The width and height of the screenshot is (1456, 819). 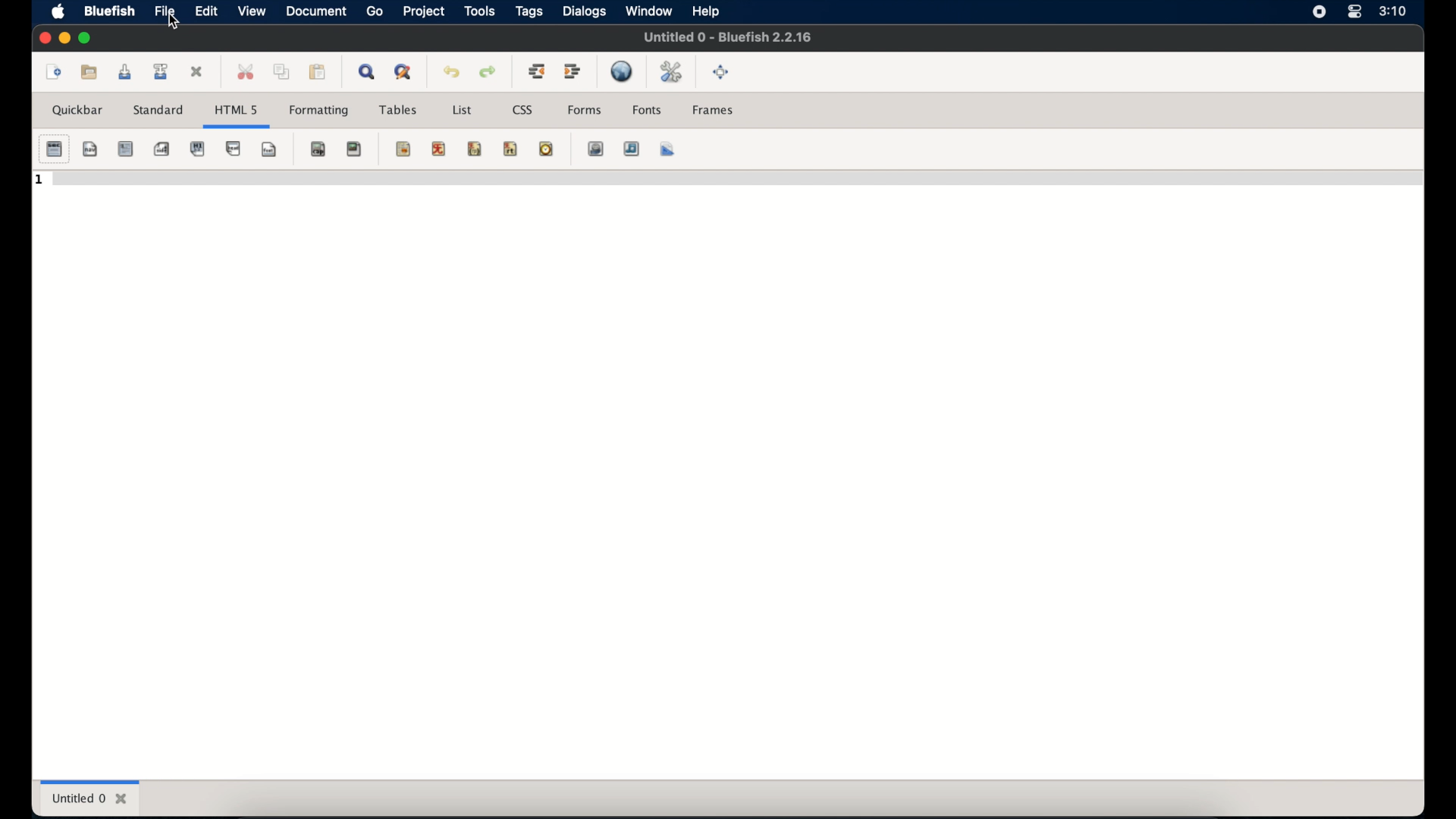 I want to click on css, so click(x=524, y=110).